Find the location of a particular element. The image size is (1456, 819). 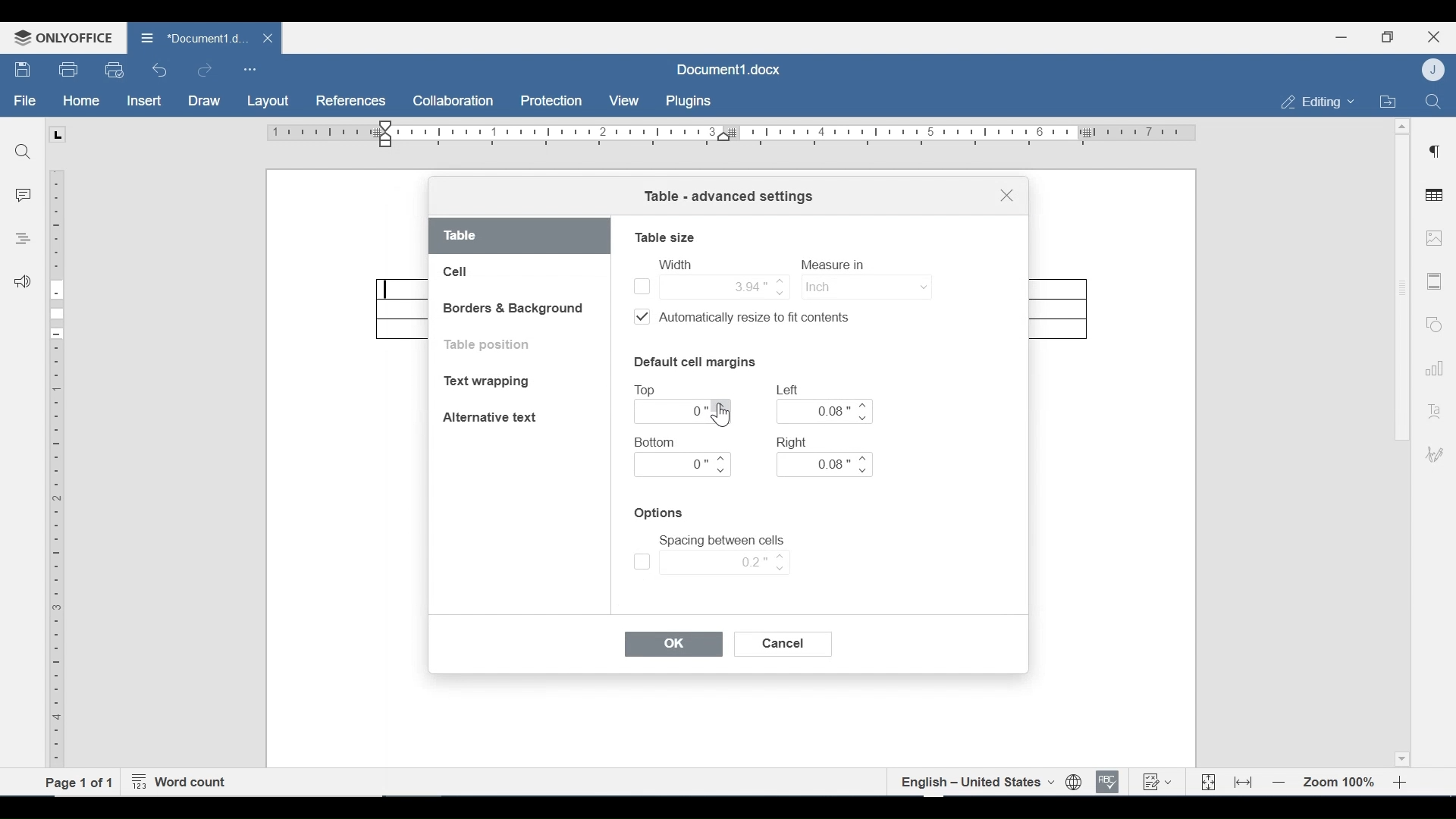

Table is located at coordinates (520, 237).